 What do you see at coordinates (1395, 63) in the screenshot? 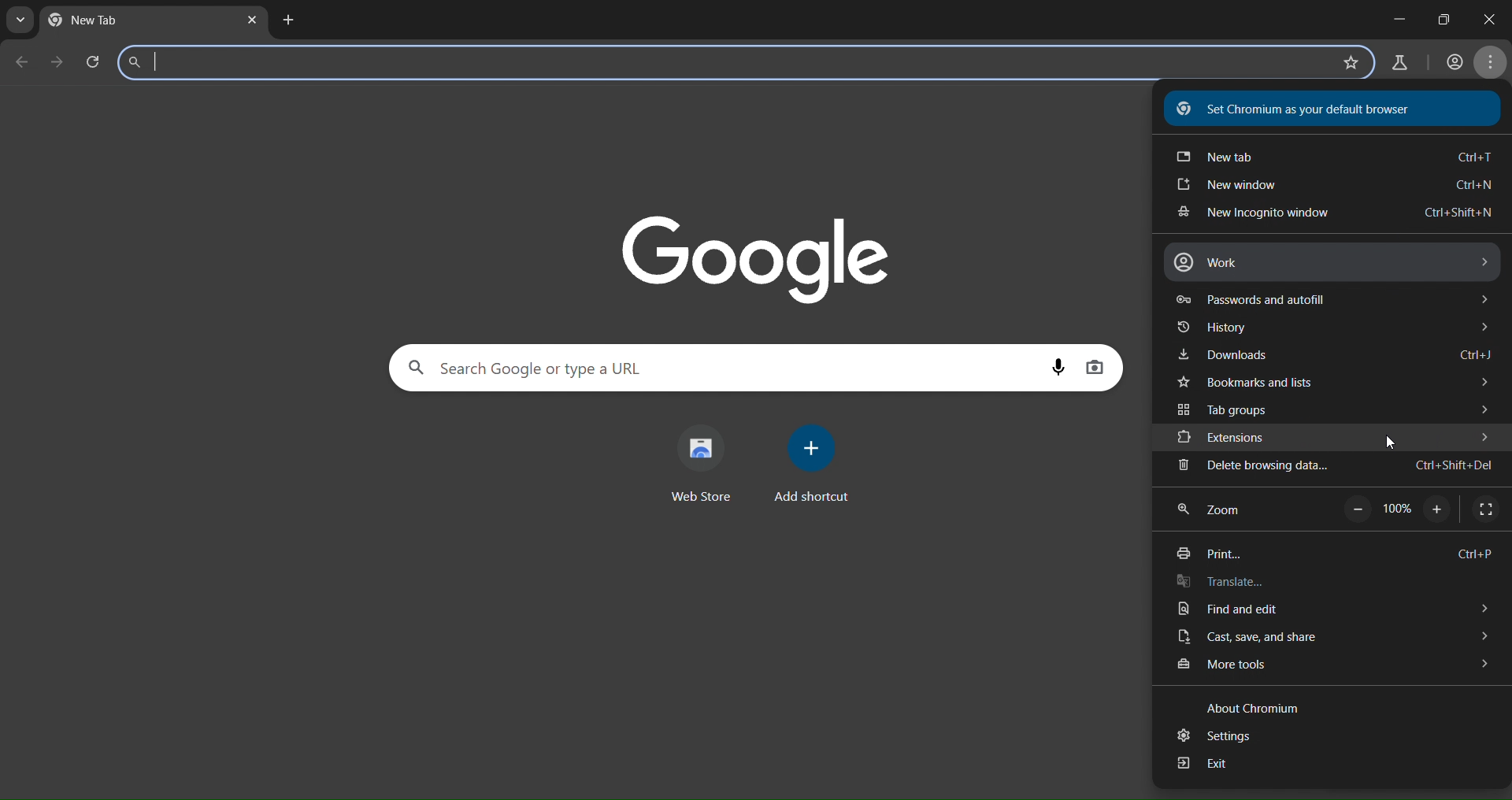
I see `search labs` at bounding box center [1395, 63].